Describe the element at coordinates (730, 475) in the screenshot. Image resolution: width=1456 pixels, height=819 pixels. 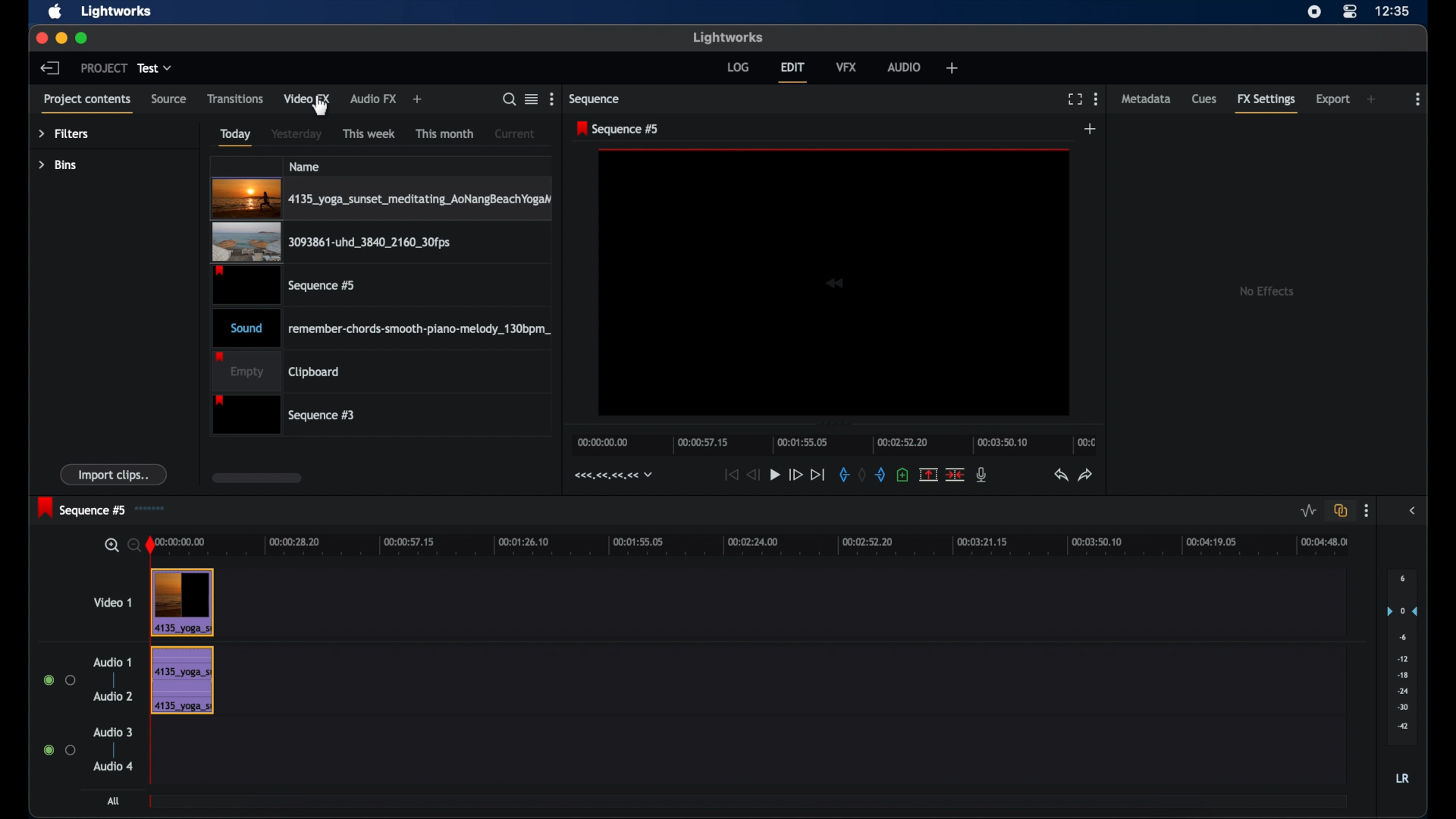
I see `jump to start` at that location.